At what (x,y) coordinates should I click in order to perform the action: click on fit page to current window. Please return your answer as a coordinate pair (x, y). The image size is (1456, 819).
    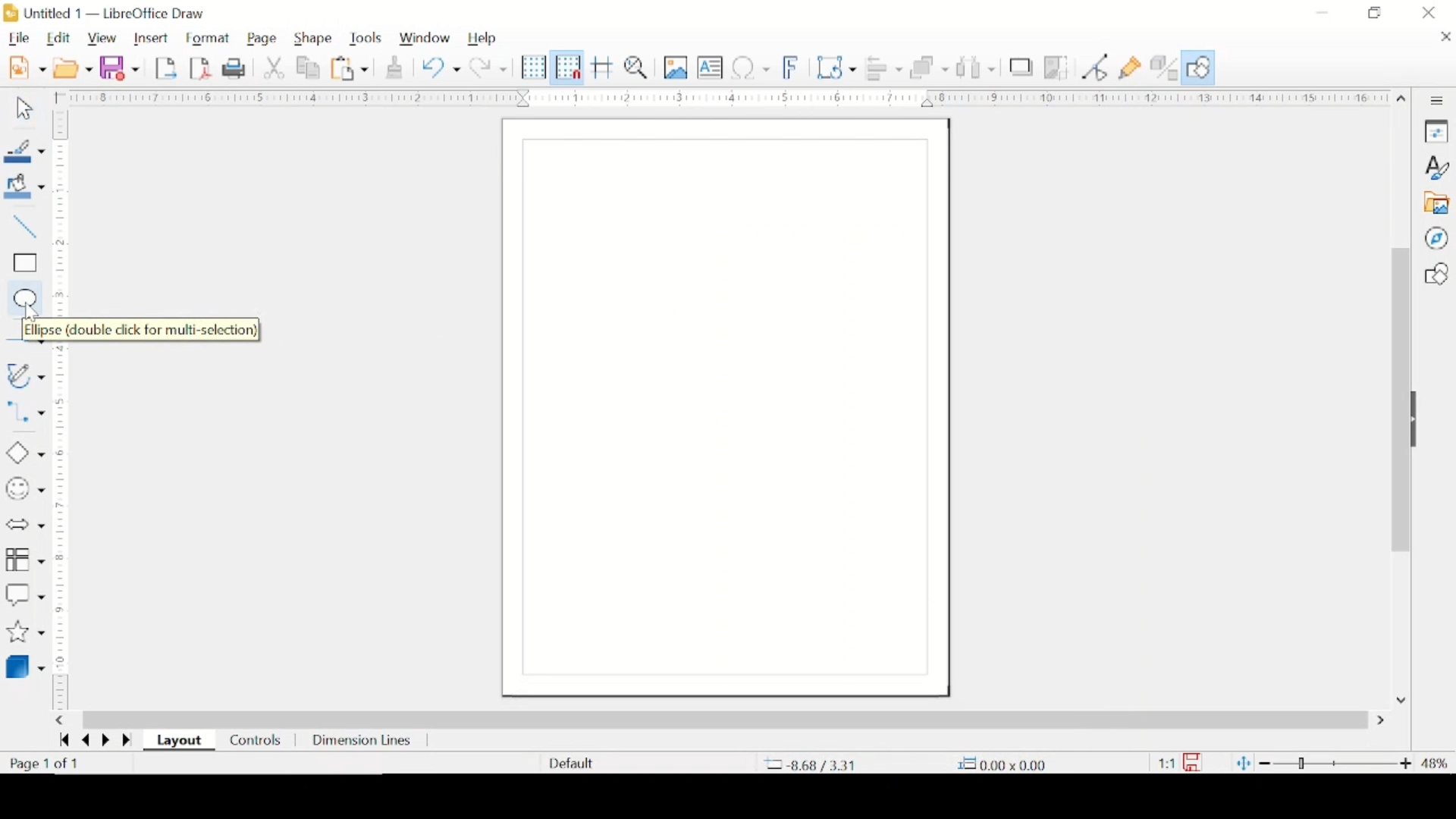
    Looking at the image, I should click on (1243, 763).